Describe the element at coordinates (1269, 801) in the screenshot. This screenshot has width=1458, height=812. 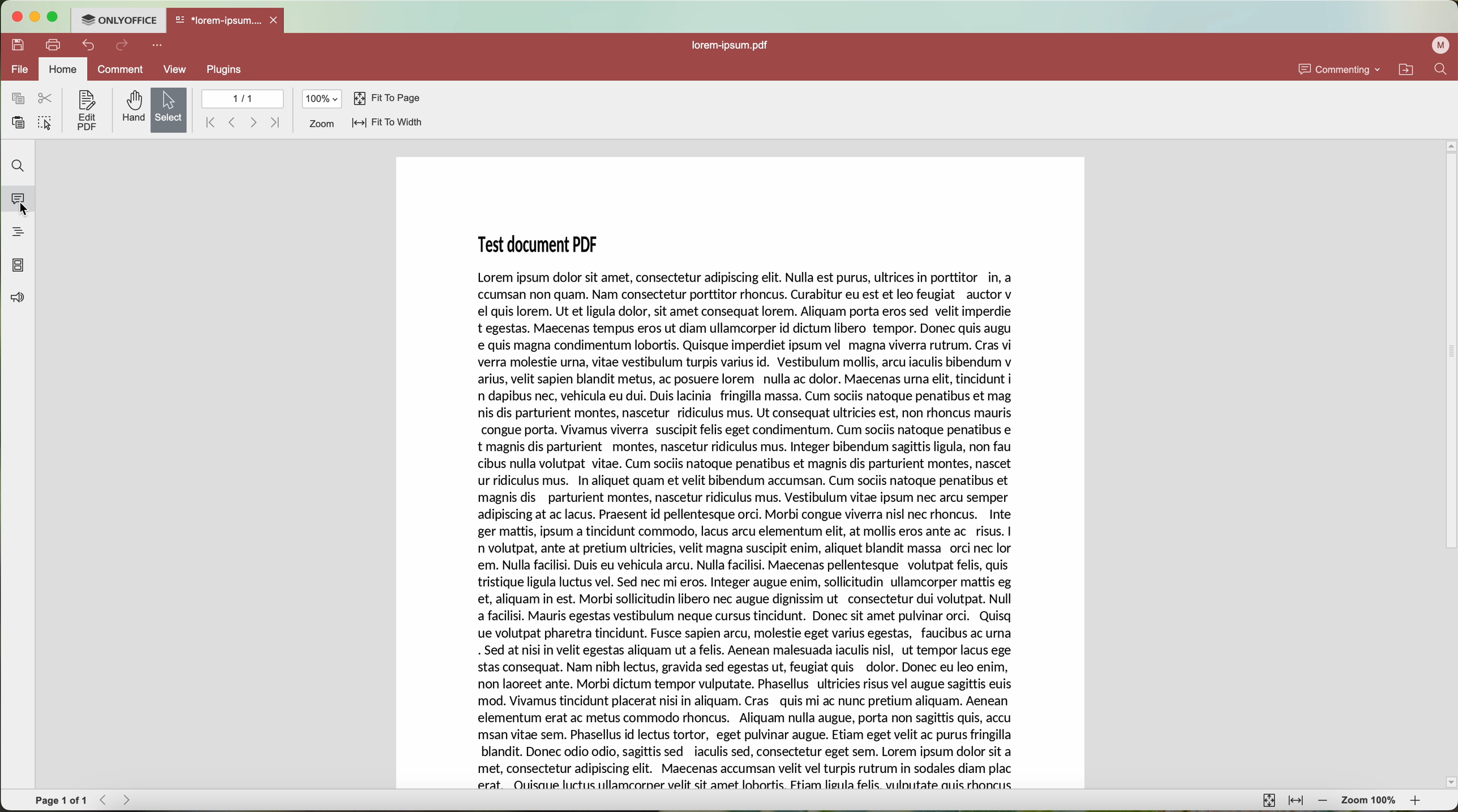
I see `fit to page` at that location.